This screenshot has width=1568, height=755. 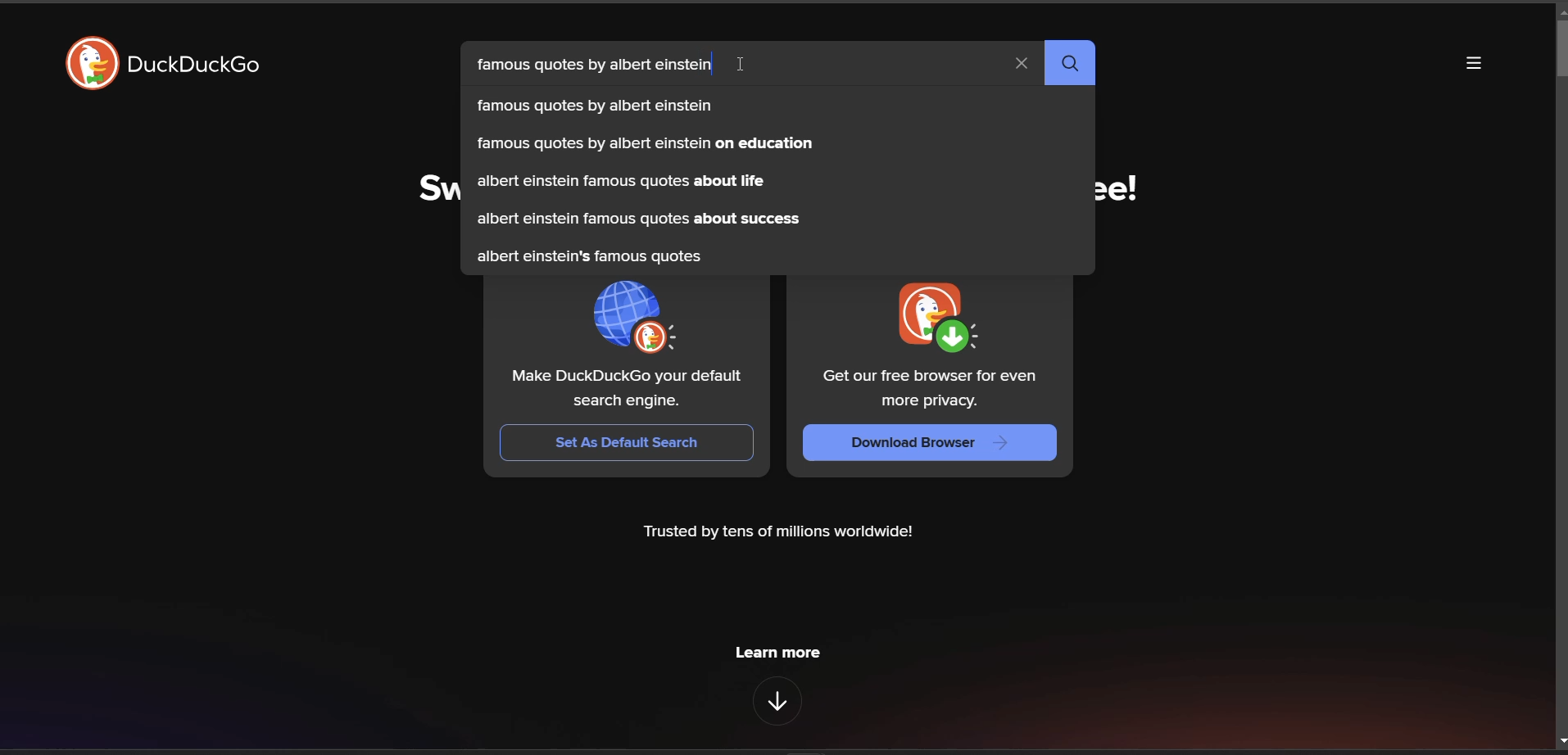 I want to click on famous quotes by albert einstein, so click(x=591, y=105).